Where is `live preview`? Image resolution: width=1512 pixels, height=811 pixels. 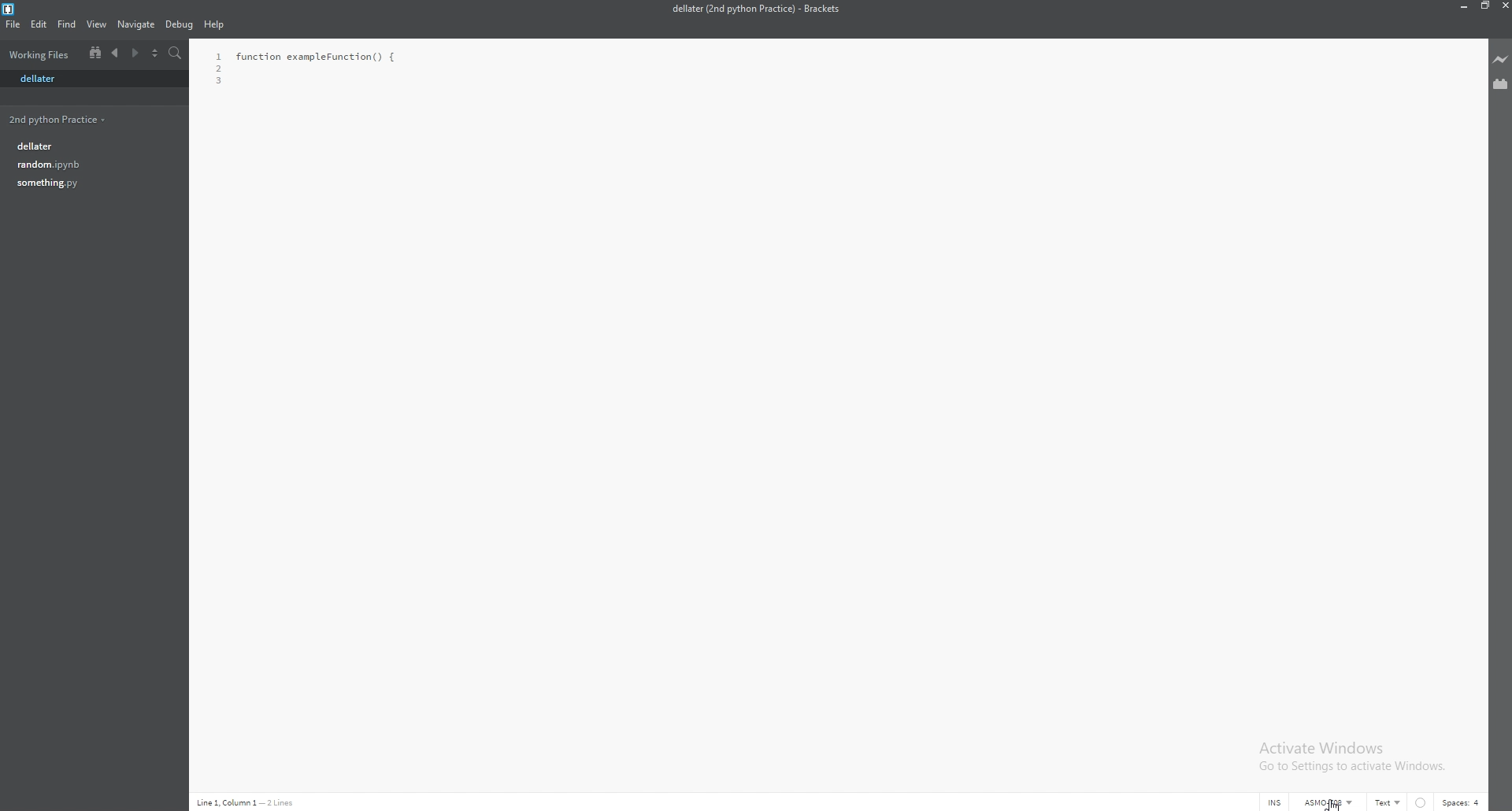
live preview is located at coordinates (1499, 60).